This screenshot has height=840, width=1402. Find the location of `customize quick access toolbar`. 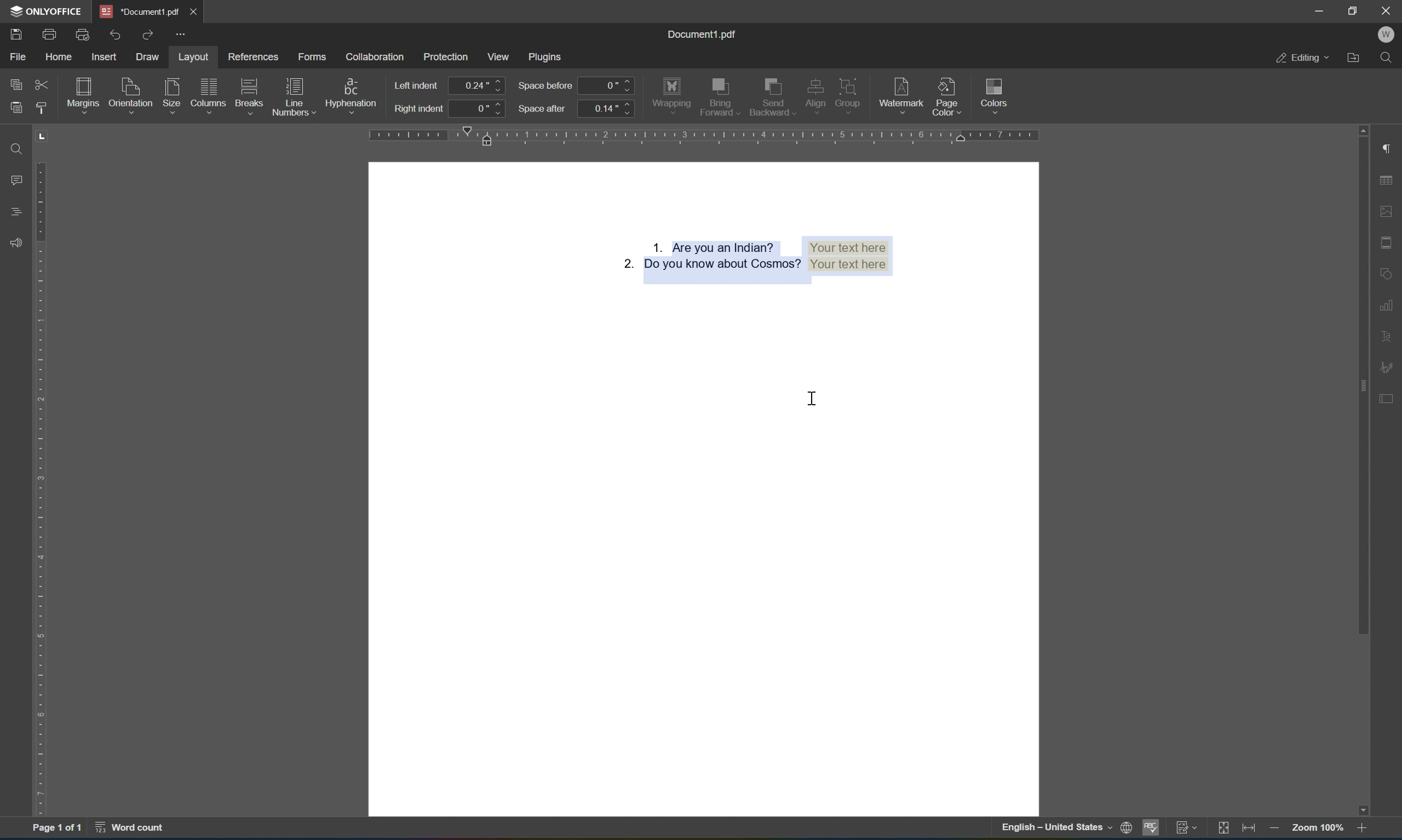

customize quick access toolbar is located at coordinates (185, 36).